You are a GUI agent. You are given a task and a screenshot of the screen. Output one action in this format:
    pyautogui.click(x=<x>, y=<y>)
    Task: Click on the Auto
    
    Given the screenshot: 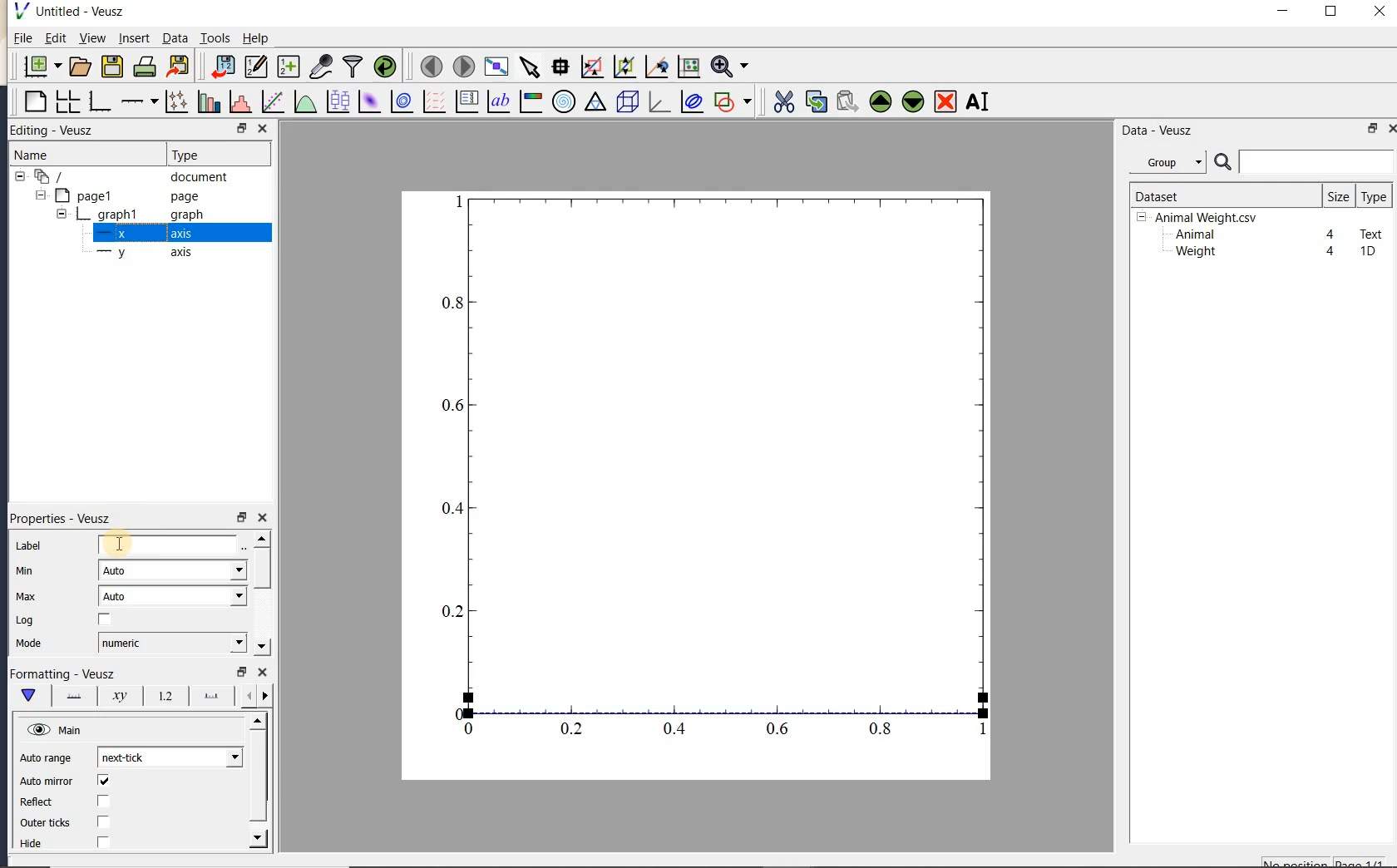 What is the action you would take?
    pyautogui.click(x=172, y=570)
    